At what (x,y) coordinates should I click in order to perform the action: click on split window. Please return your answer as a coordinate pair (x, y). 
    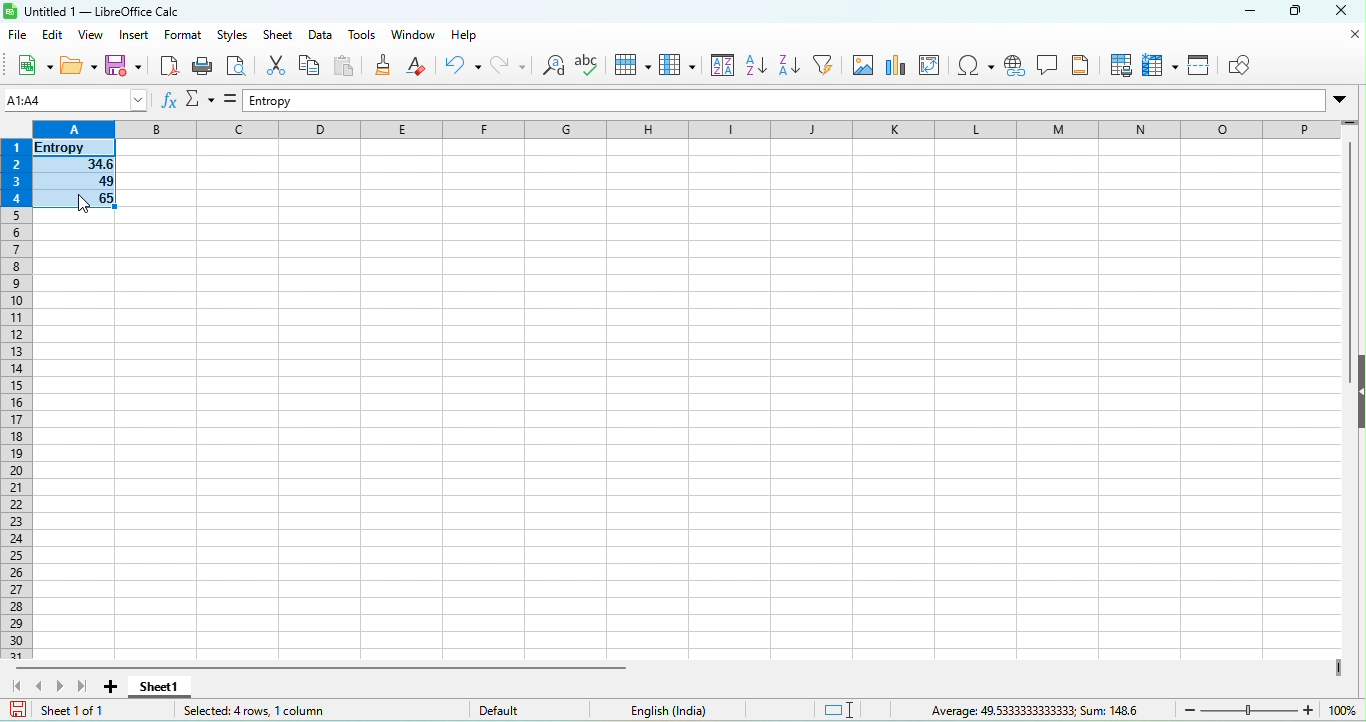
    Looking at the image, I should click on (1202, 67).